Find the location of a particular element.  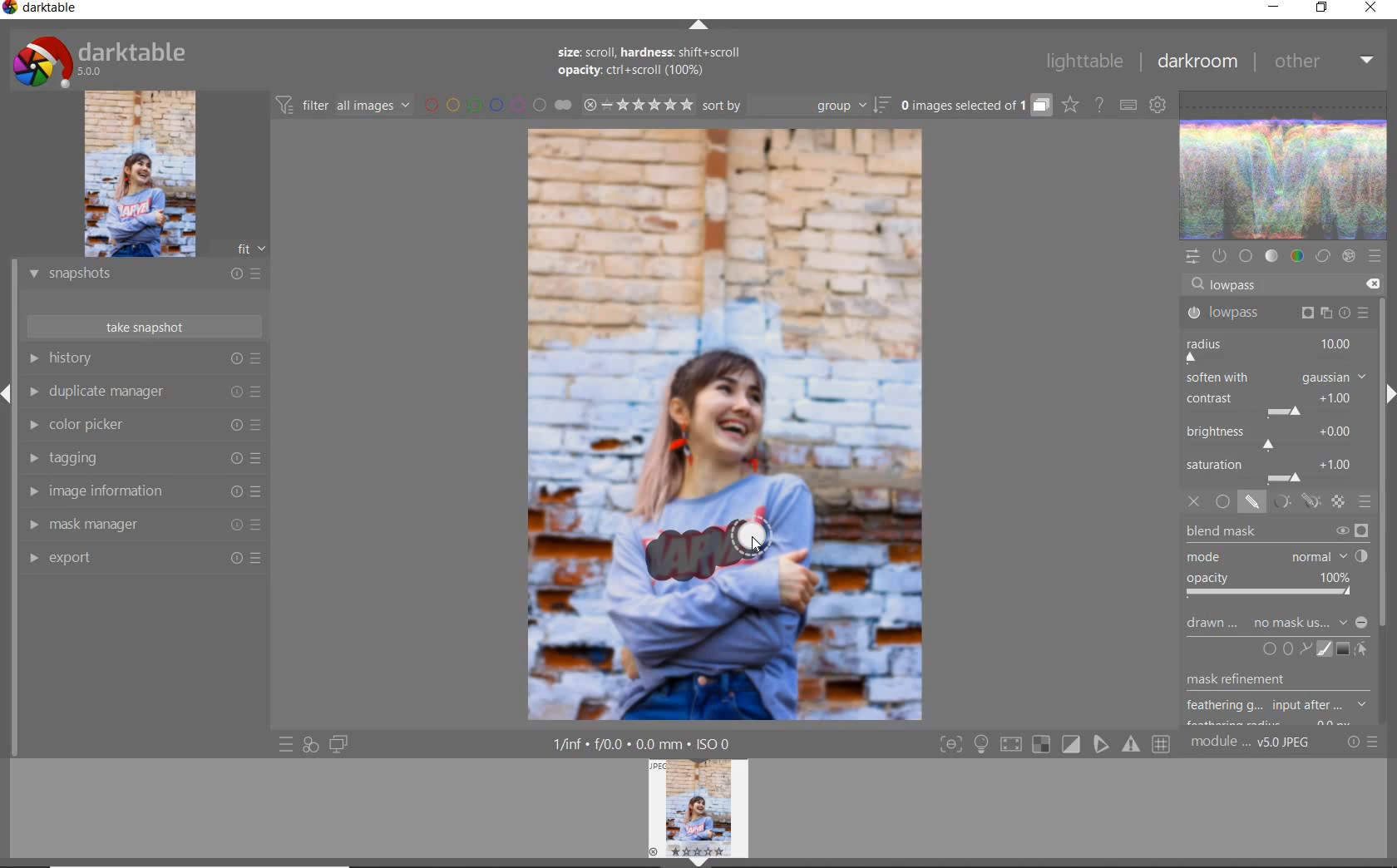

filter all images by module order is located at coordinates (344, 106).